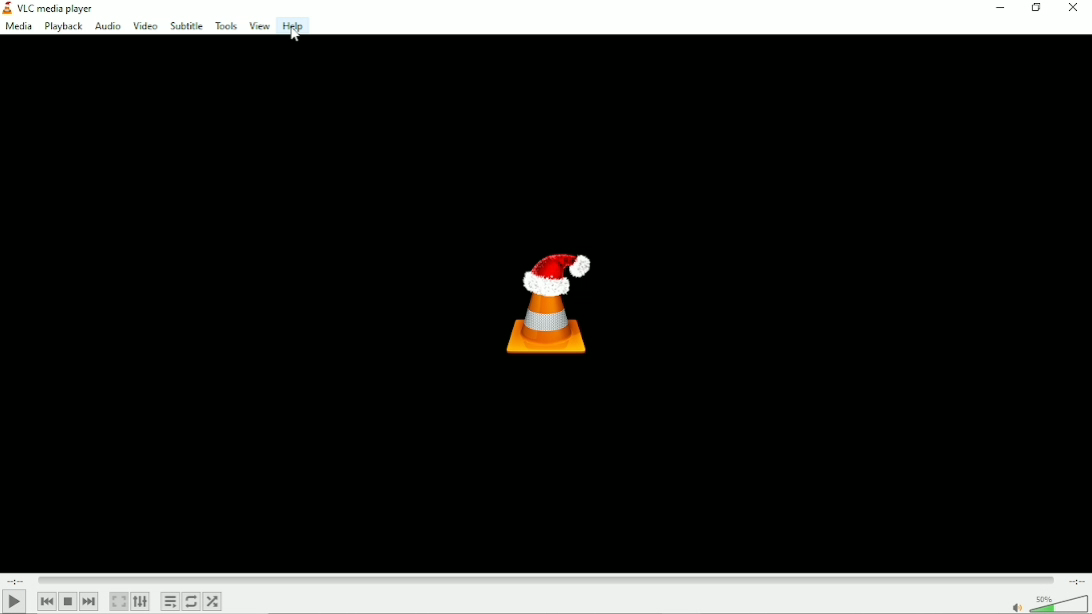  I want to click on Toggle between loop all, loop one and no loop, so click(191, 602).